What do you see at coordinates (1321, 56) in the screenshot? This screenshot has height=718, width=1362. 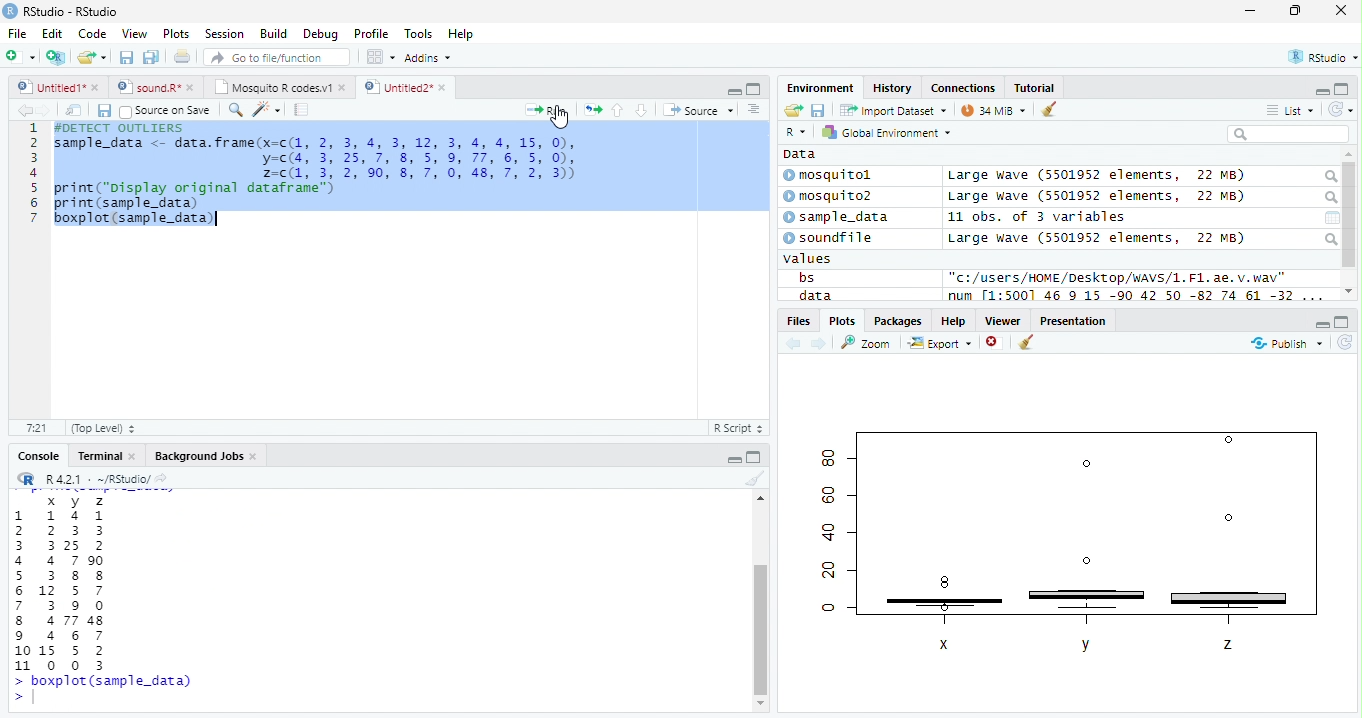 I see `RStudio` at bounding box center [1321, 56].